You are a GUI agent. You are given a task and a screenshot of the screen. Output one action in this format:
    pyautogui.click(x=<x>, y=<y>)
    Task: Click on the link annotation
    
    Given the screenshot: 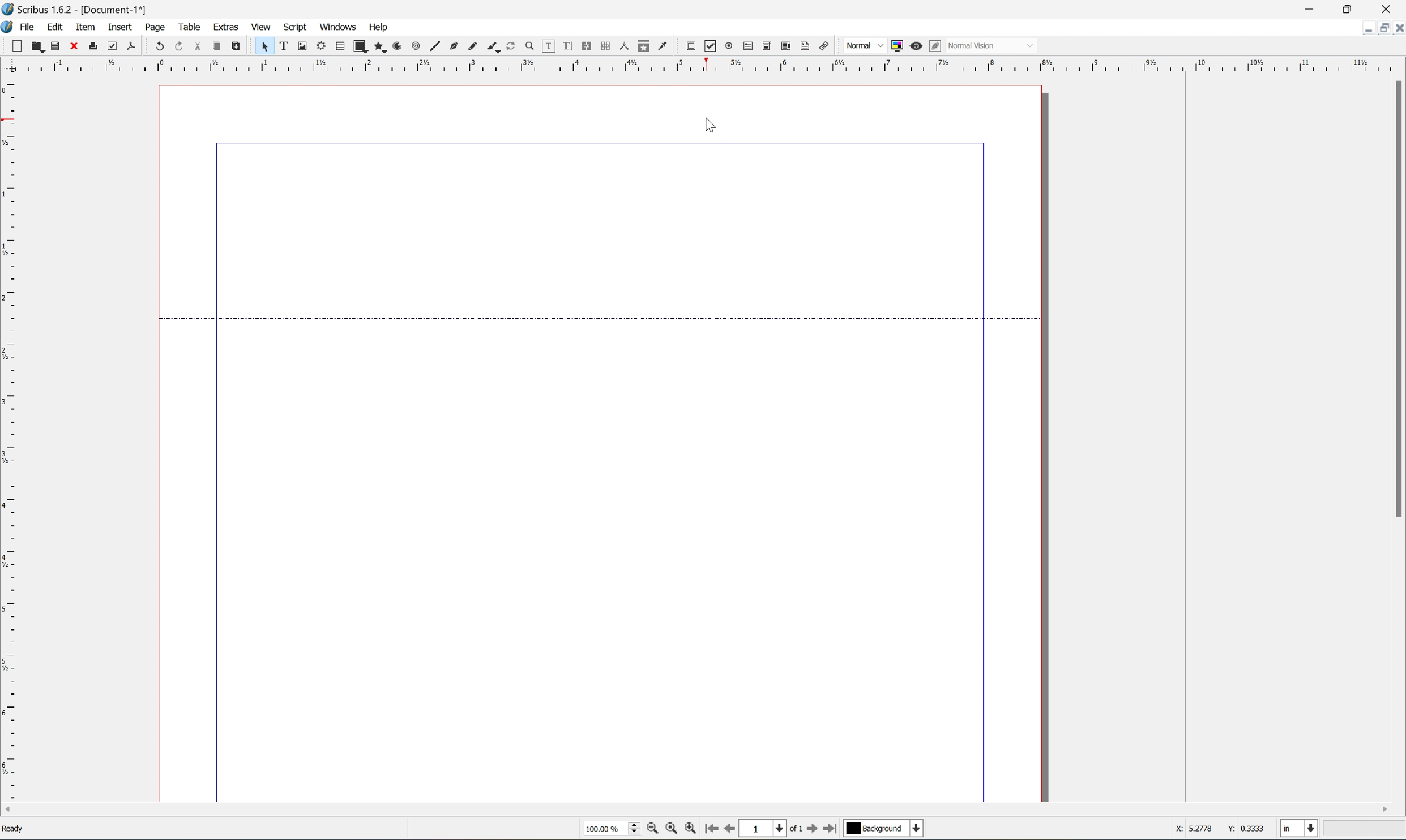 What is the action you would take?
    pyautogui.click(x=824, y=46)
    